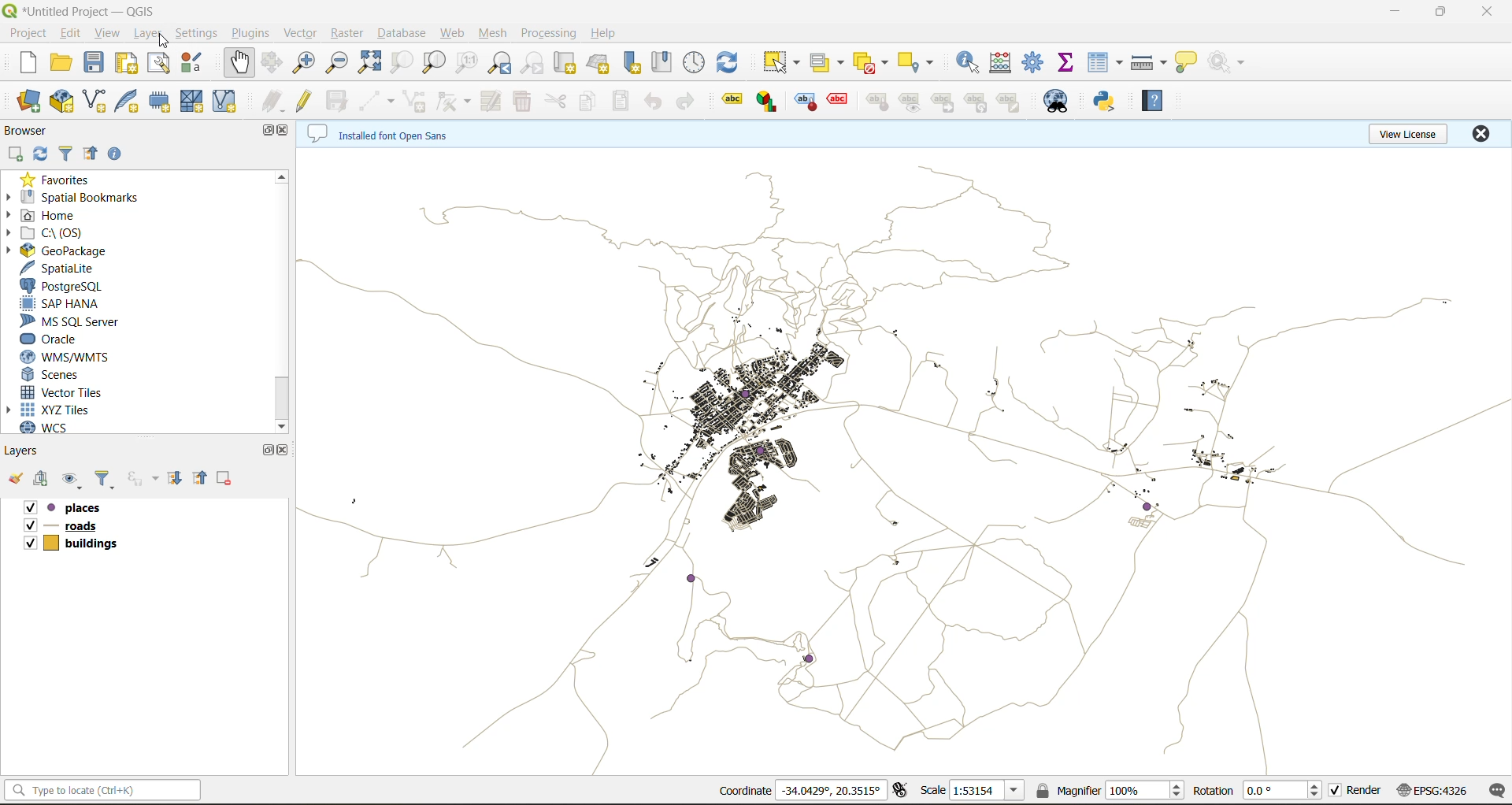 This screenshot has width=1512, height=805. What do you see at coordinates (305, 62) in the screenshot?
I see `zoom in` at bounding box center [305, 62].